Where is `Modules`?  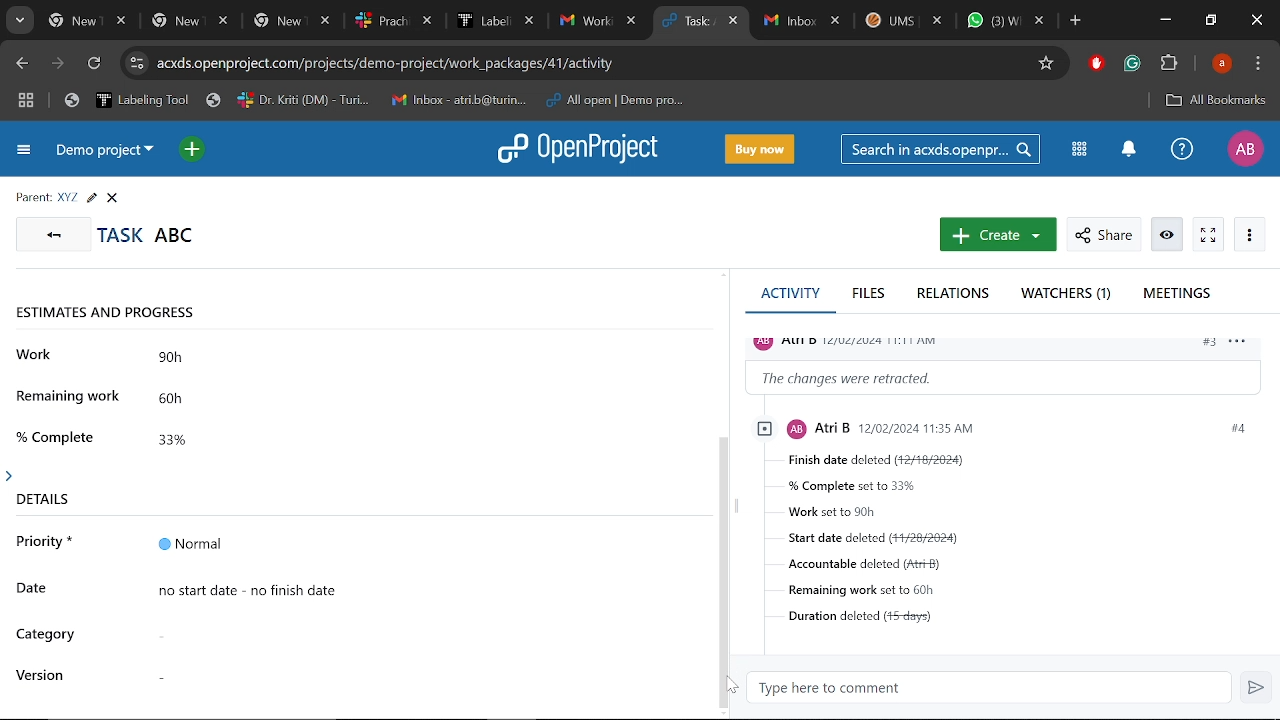
Modules is located at coordinates (1080, 151).